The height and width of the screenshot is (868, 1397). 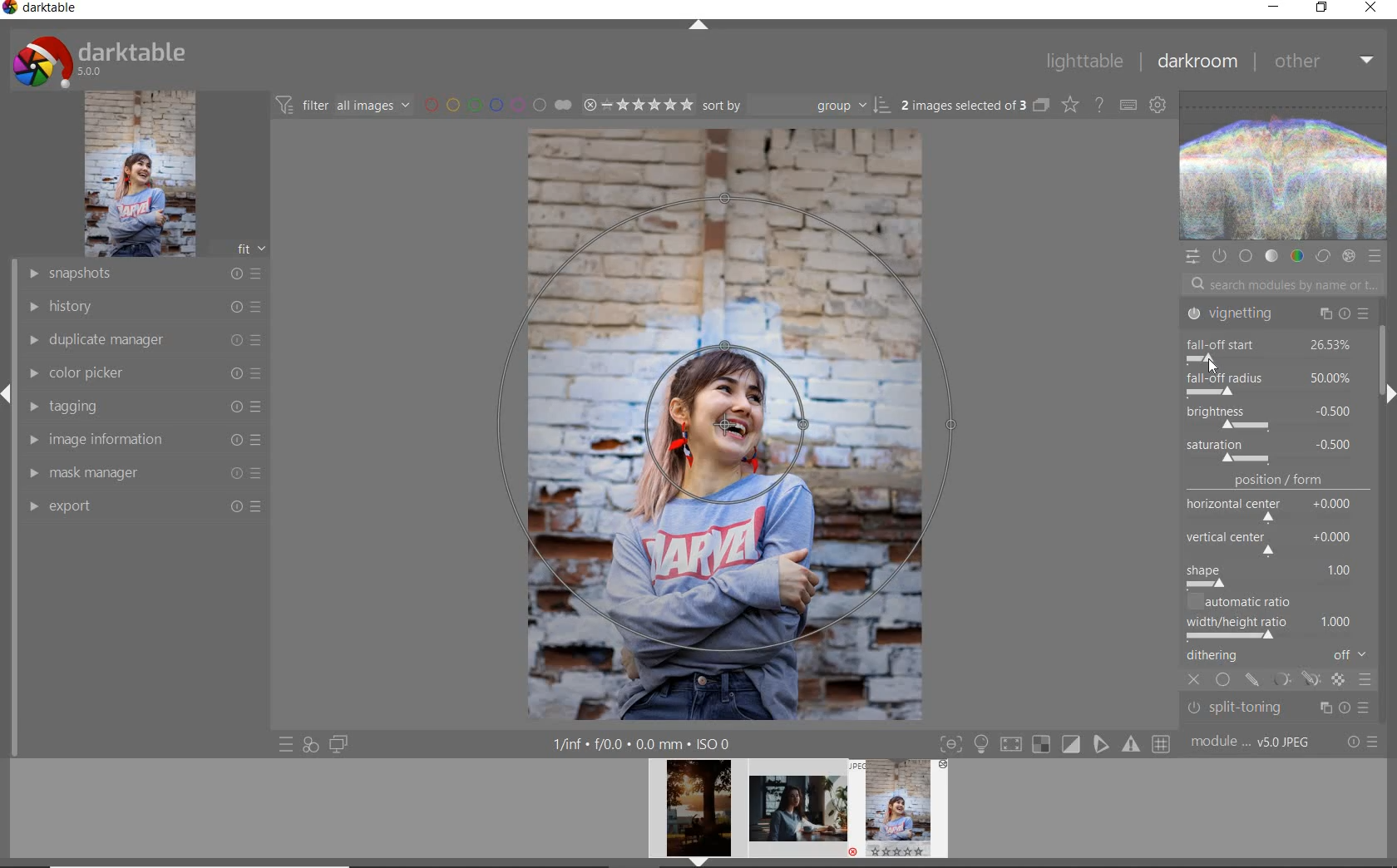 What do you see at coordinates (1084, 61) in the screenshot?
I see `LIGHTTABLE` at bounding box center [1084, 61].